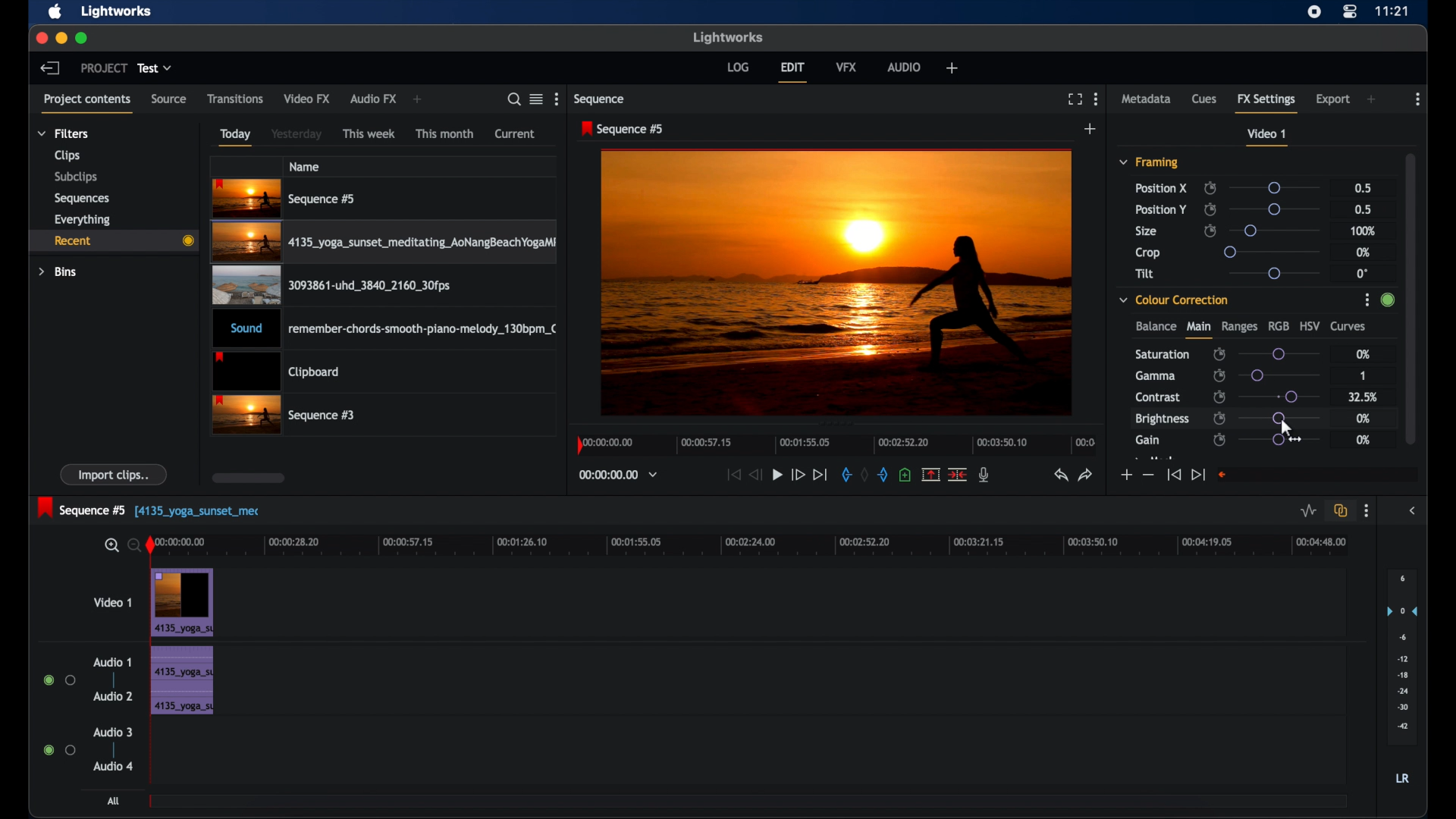  Describe the element at coordinates (1219, 355) in the screenshot. I see `enable/disable keyframes` at that location.